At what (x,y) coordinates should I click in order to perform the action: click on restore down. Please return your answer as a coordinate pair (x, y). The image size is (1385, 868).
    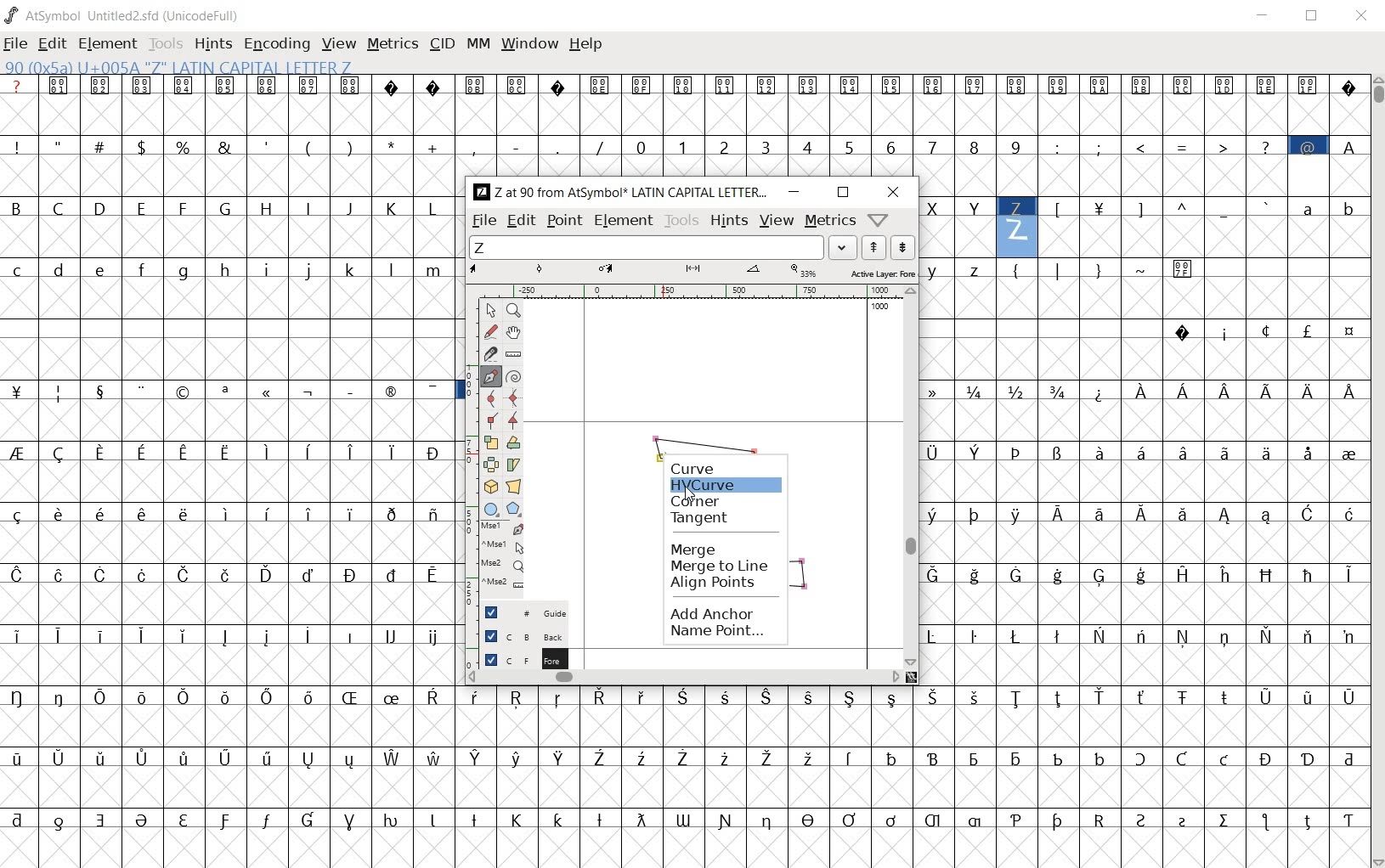
    Looking at the image, I should click on (843, 192).